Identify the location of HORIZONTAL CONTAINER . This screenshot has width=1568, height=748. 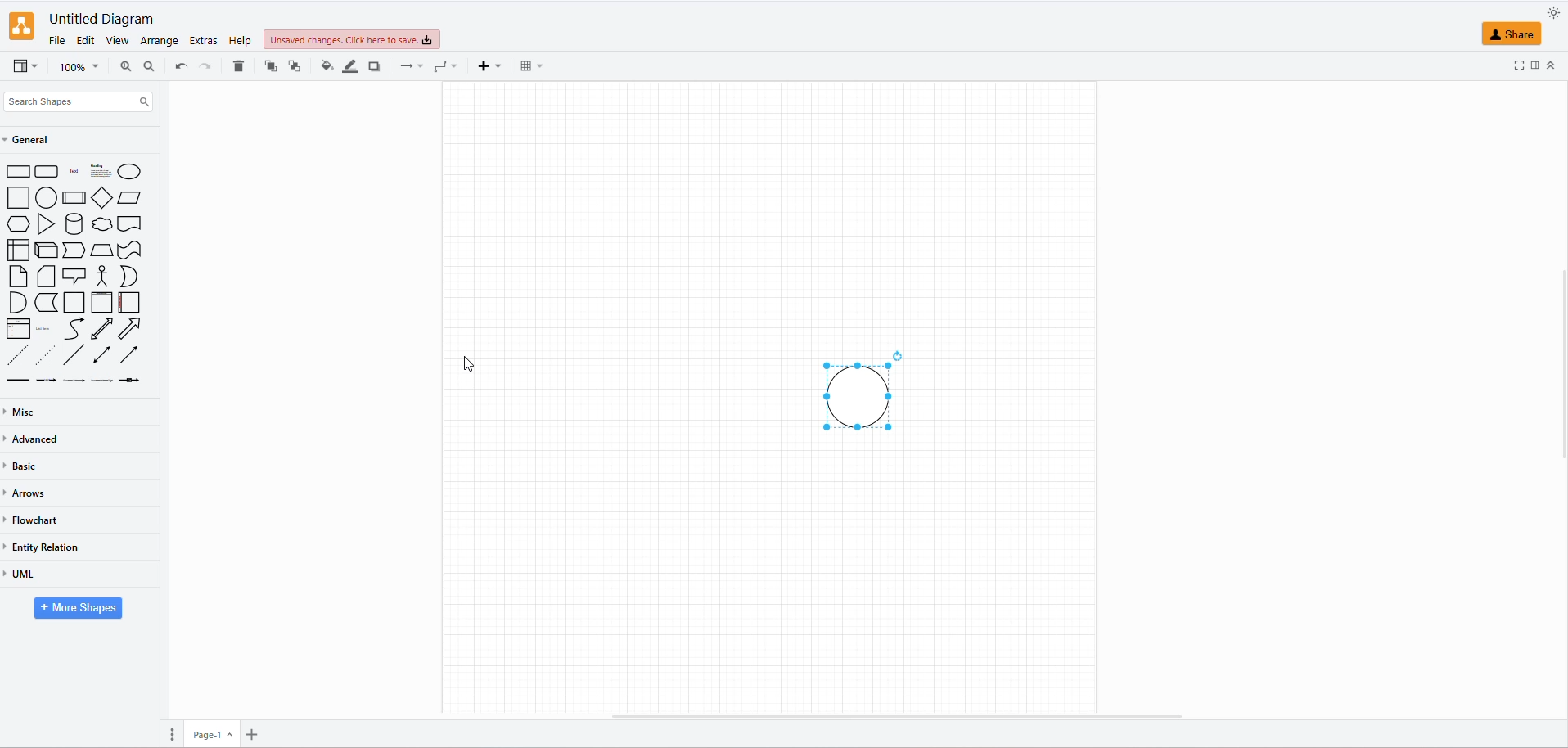
(125, 303).